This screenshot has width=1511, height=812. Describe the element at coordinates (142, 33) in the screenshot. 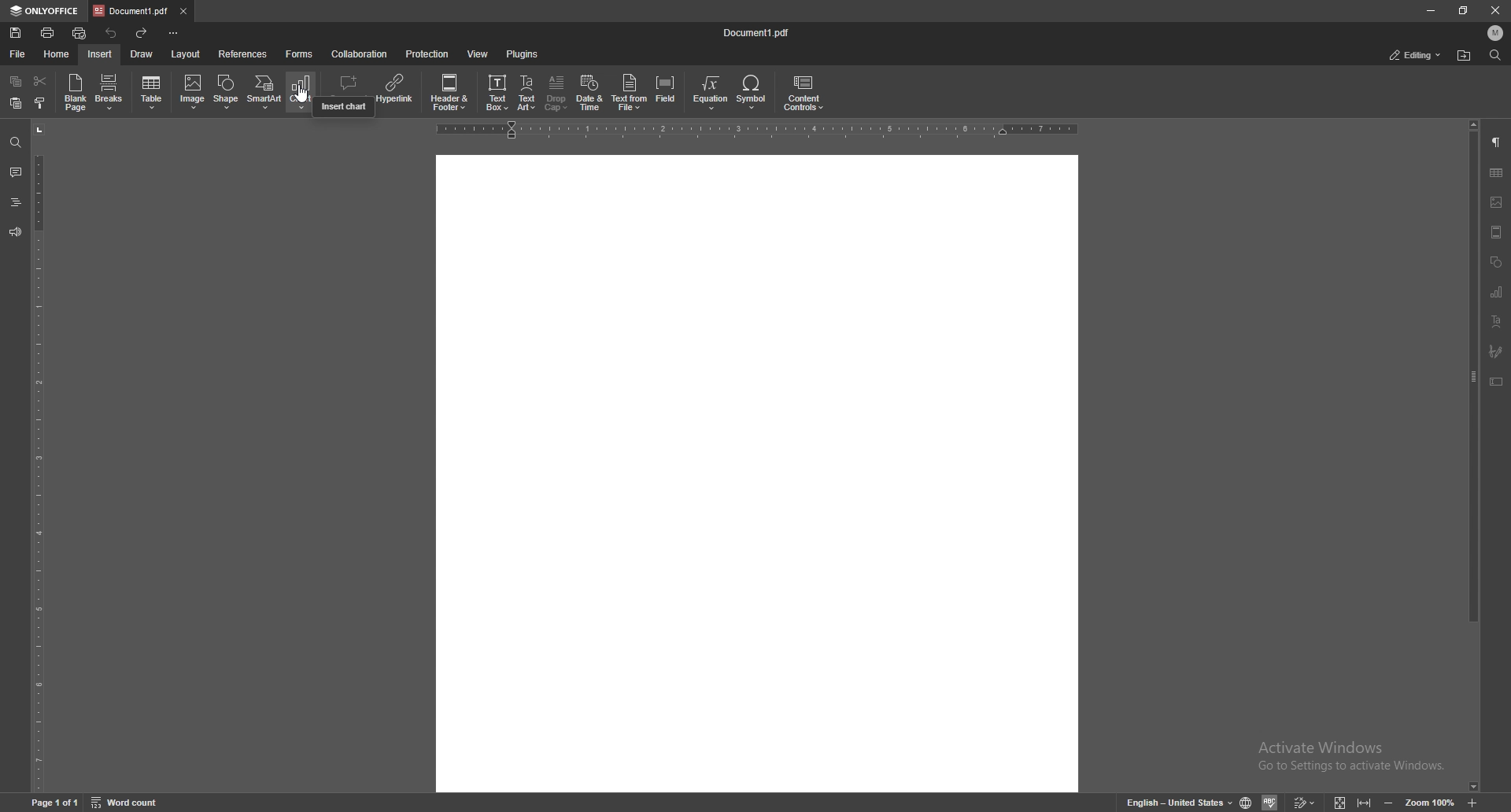

I see `redo` at that location.